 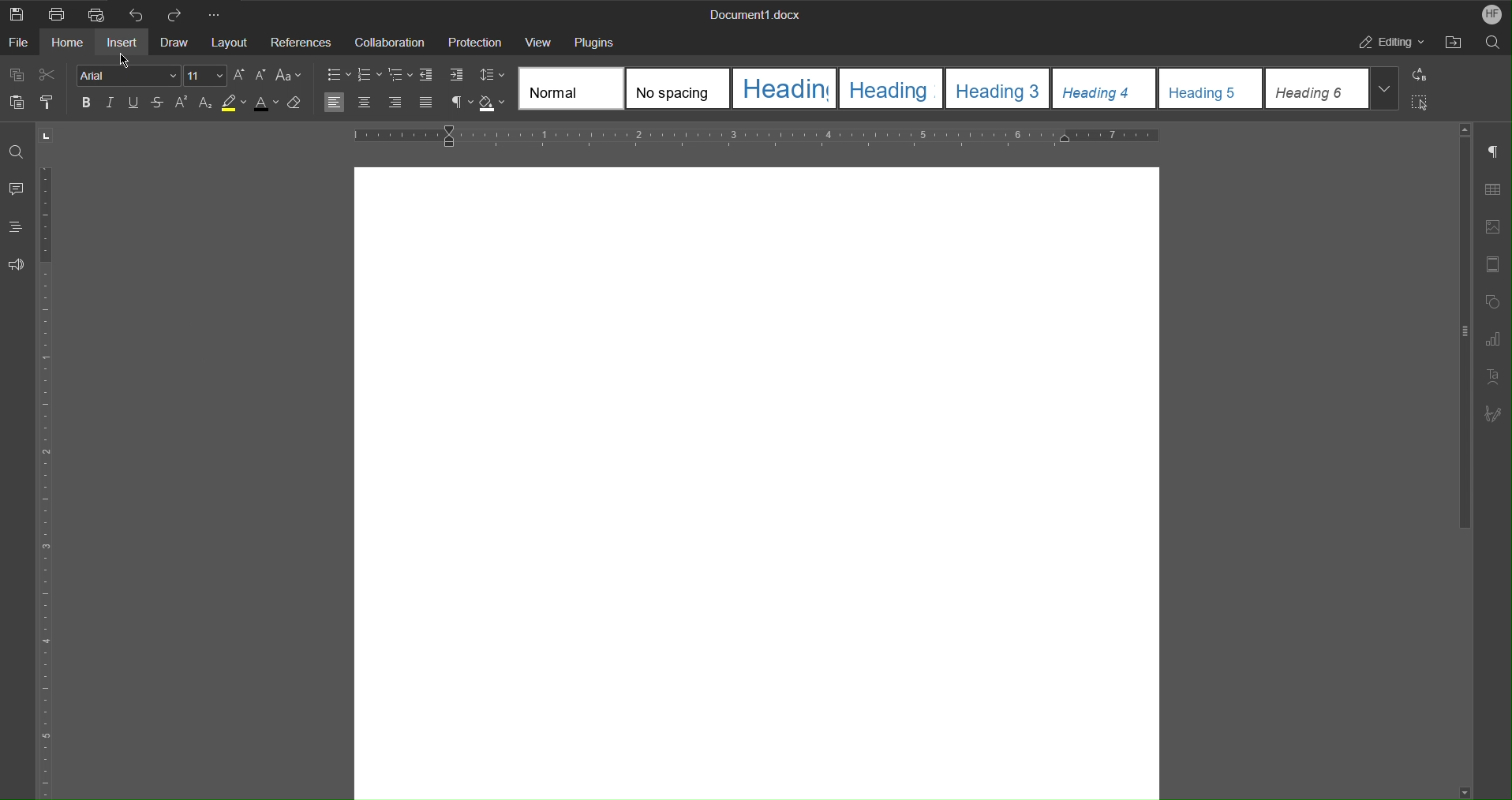 I want to click on Text Art, so click(x=1491, y=375).